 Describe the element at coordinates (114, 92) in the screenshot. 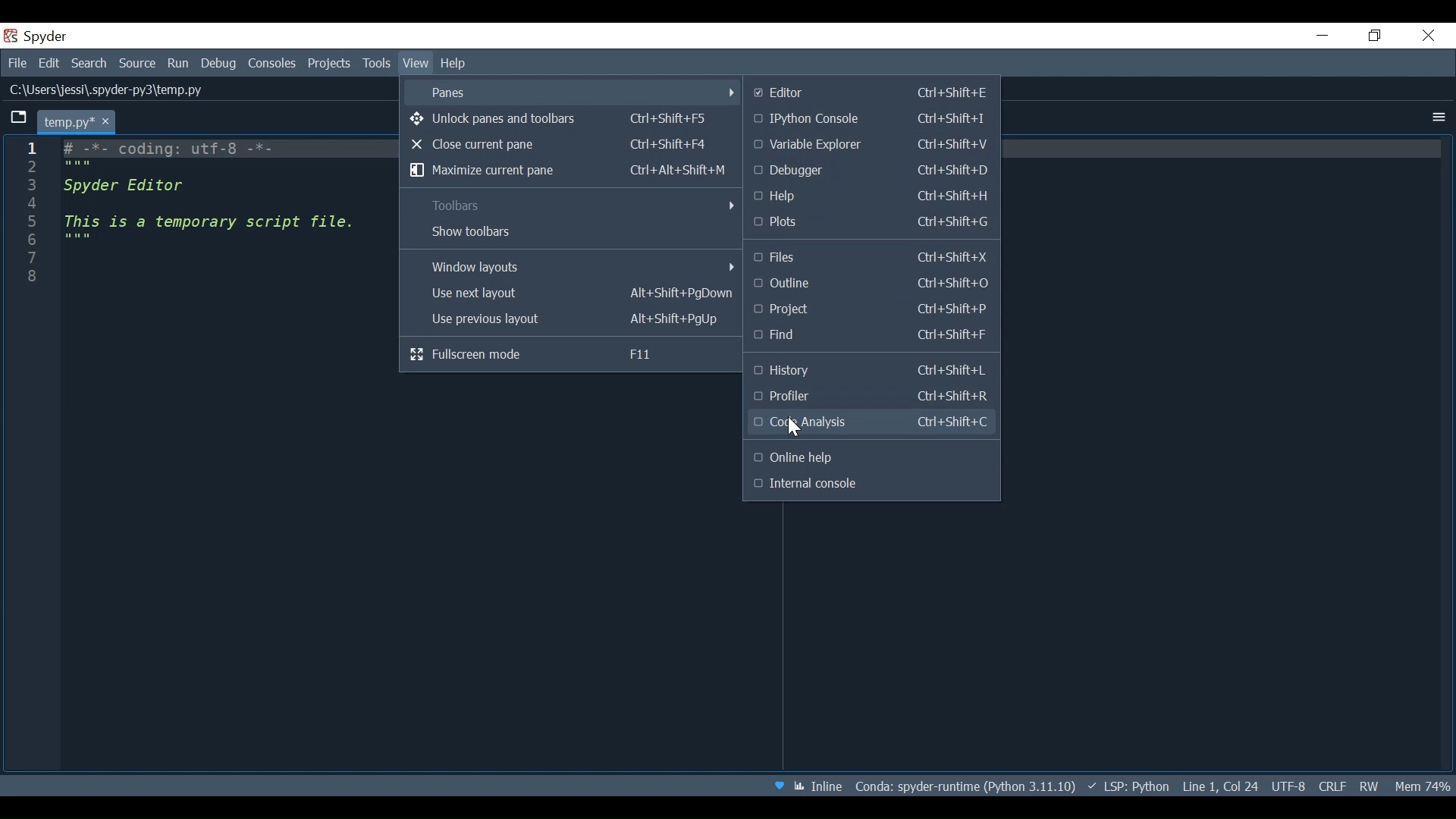

I see `C:\Users\jessi\.spyder-pys\temp.py` at that location.